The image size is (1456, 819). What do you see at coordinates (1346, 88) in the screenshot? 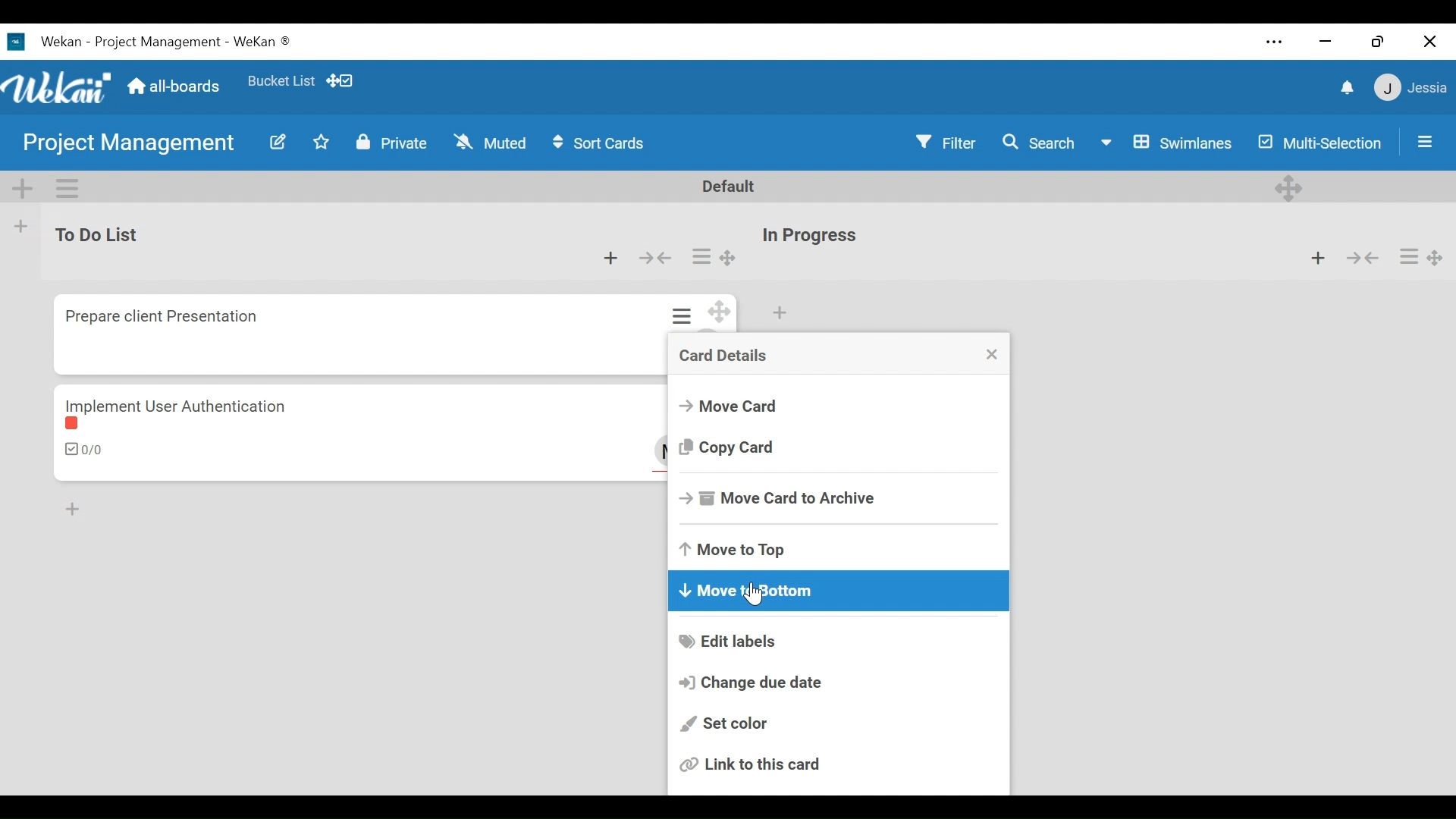
I see `notifications` at bounding box center [1346, 88].